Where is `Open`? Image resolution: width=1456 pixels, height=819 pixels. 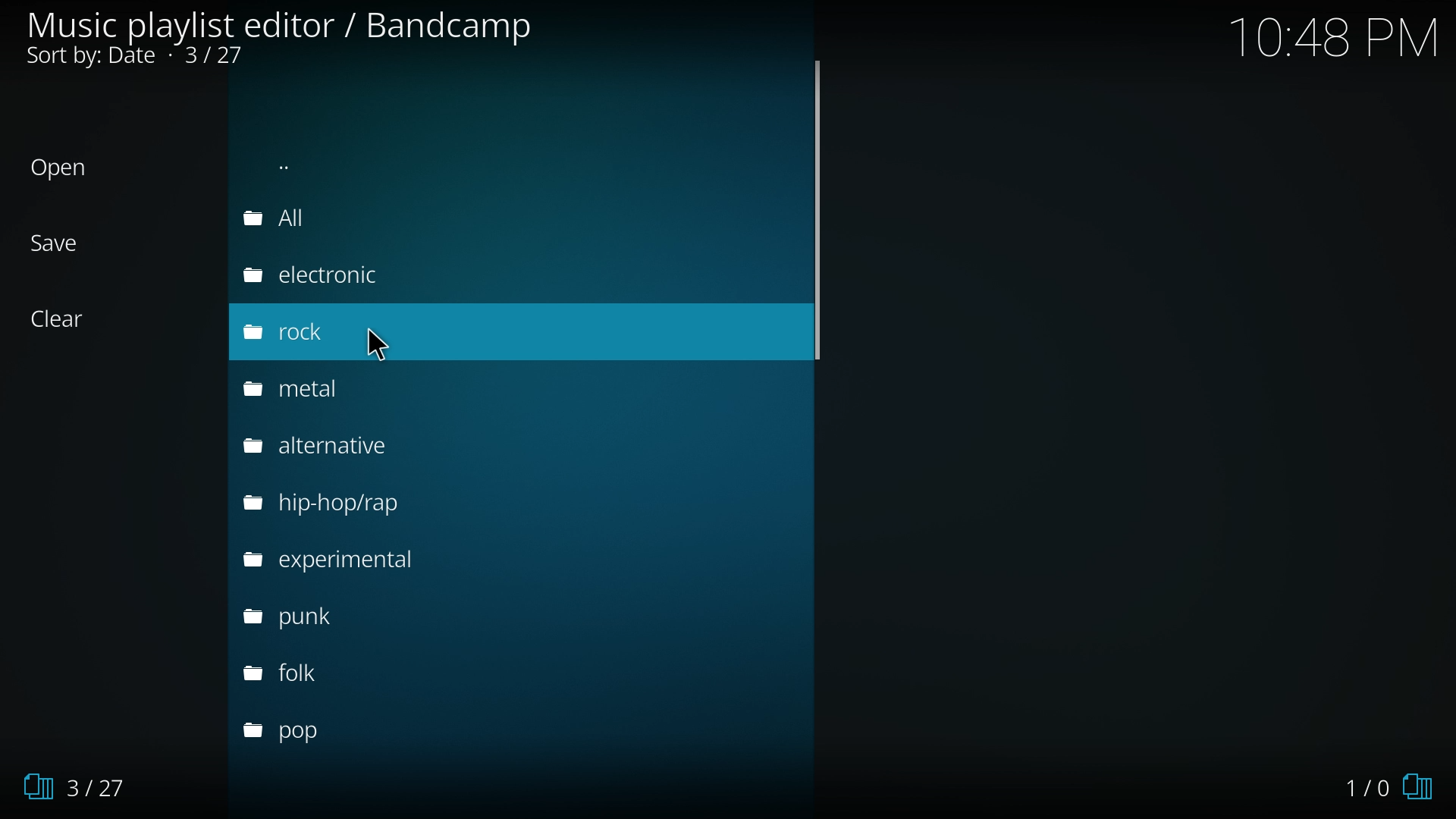
Open is located at coordinates (71, 169).